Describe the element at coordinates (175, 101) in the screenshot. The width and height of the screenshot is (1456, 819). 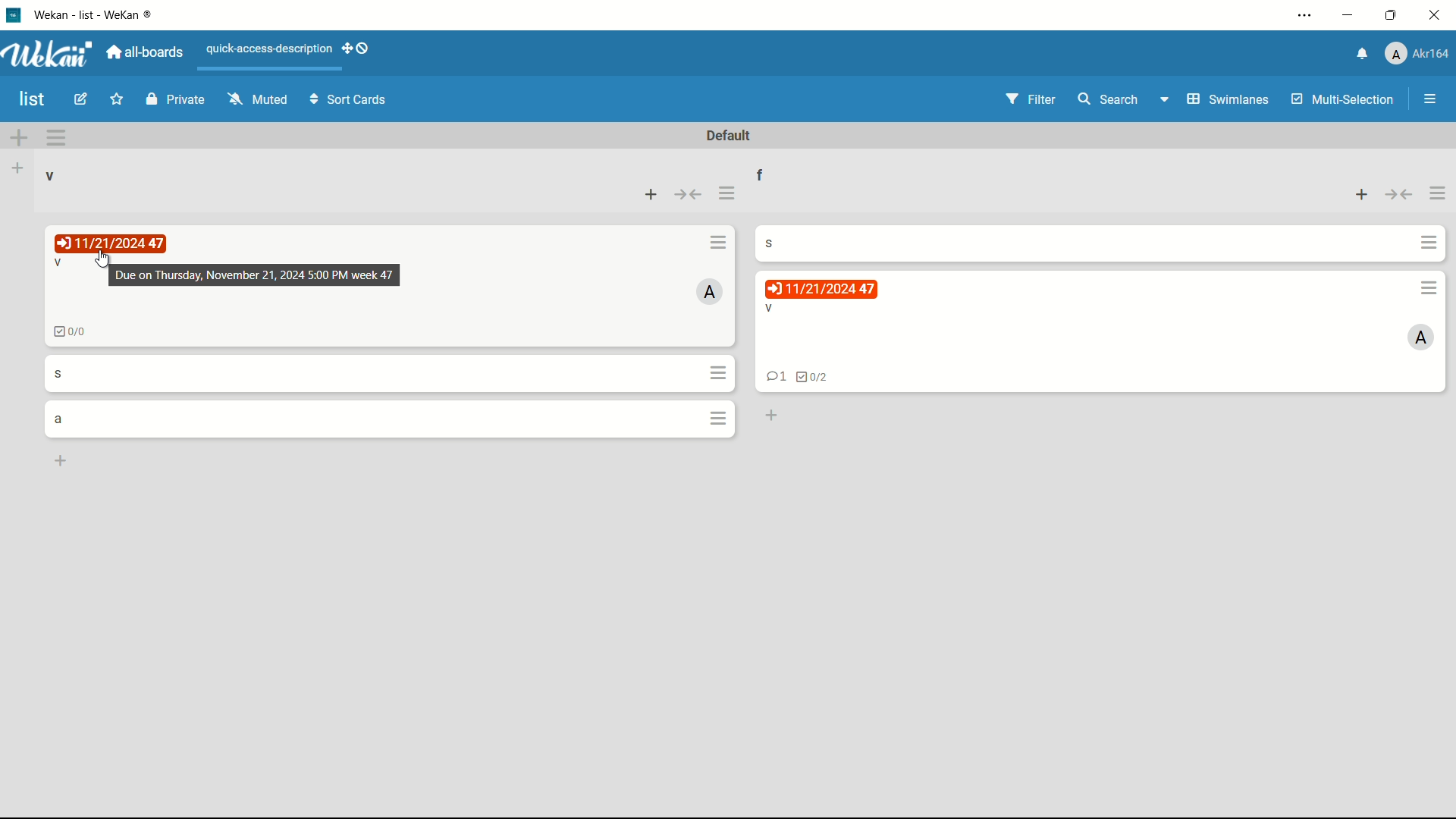
I see `private` at that location.